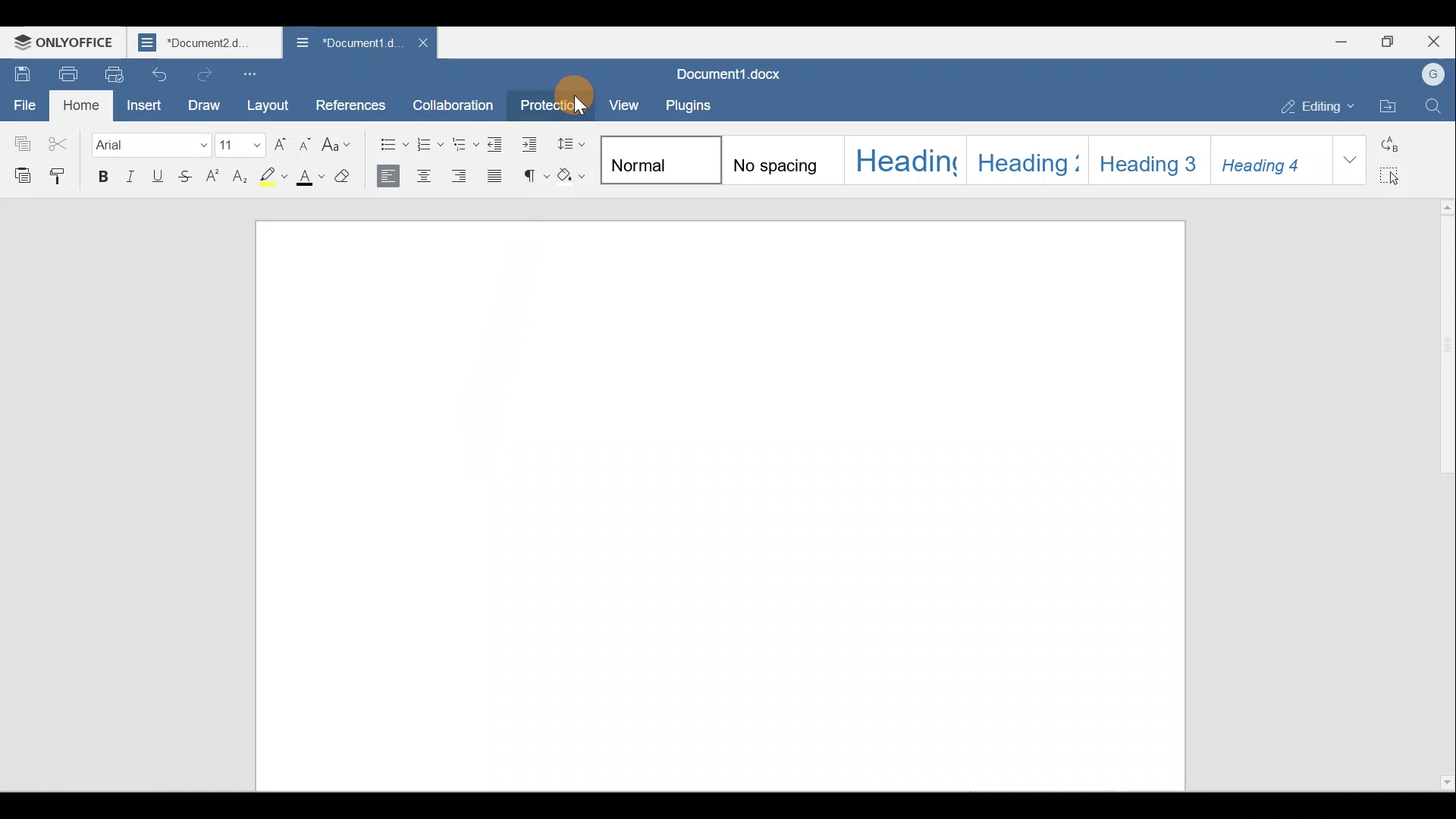 The image size is (1456, 819). I want to click on Copy, so click(19, 140).